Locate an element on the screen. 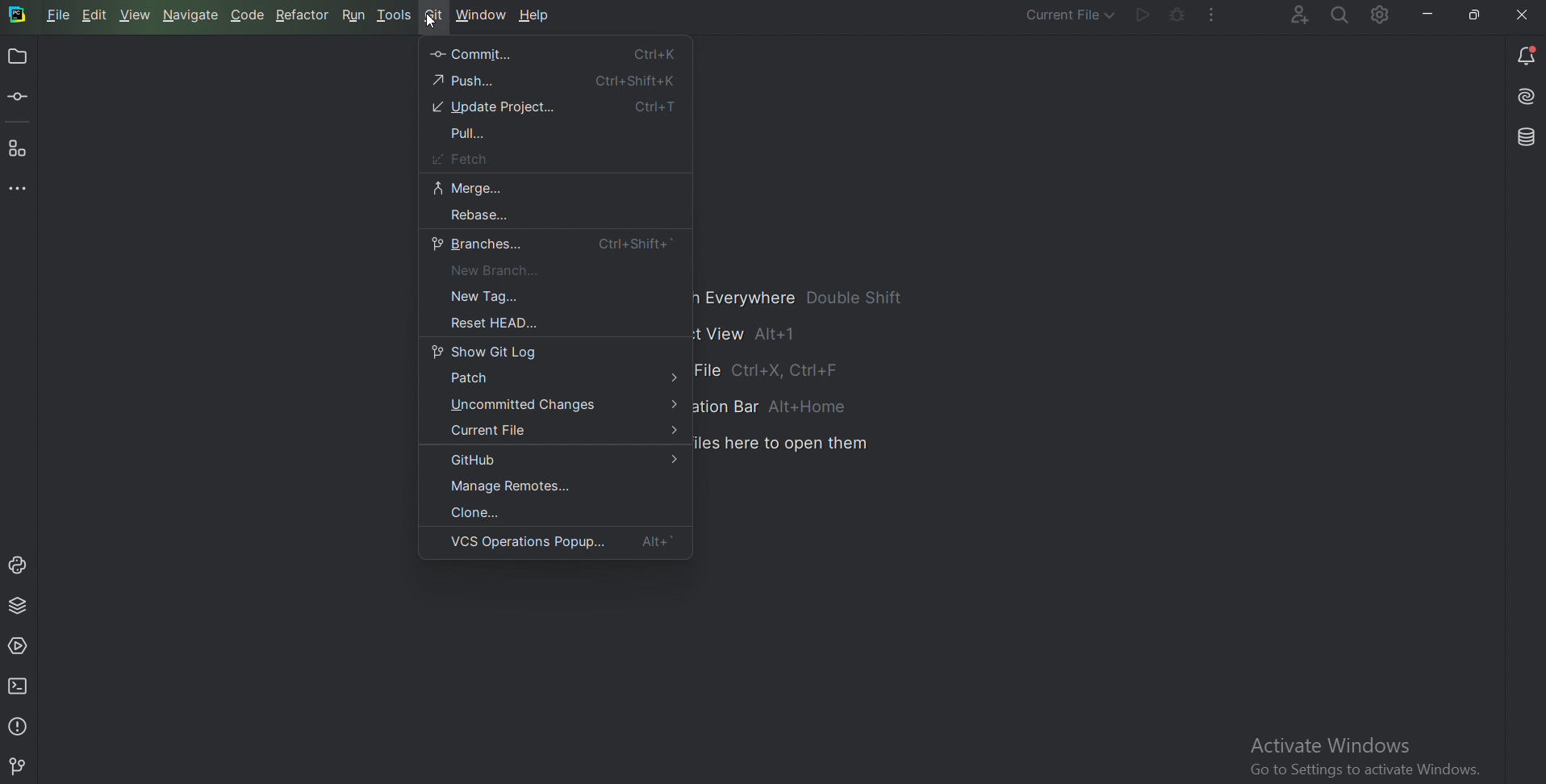 The height and width of the screenshot is (784, 1546). Minimize is located at coordinates (1423, 14).